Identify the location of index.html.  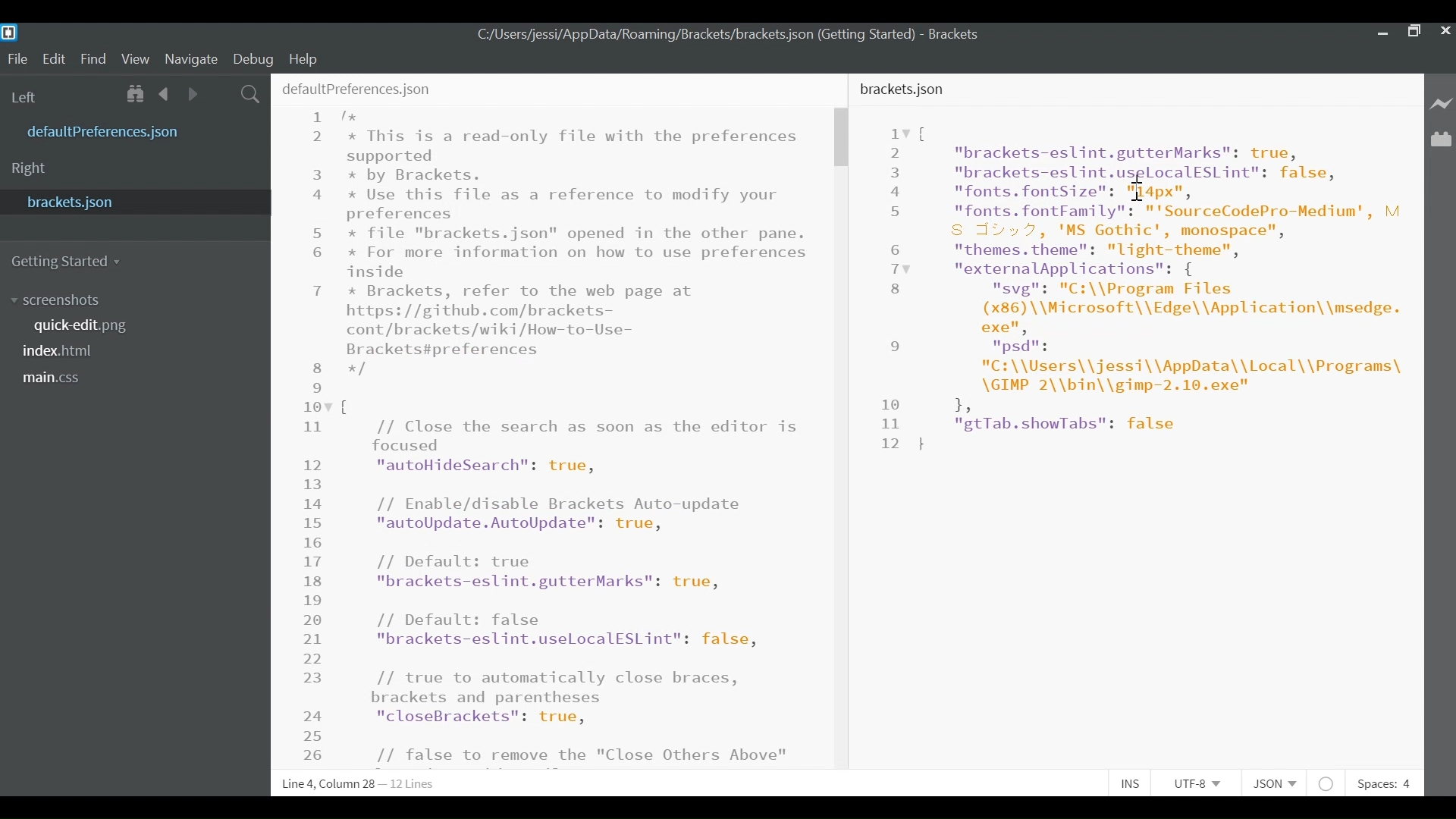
(63, 352).